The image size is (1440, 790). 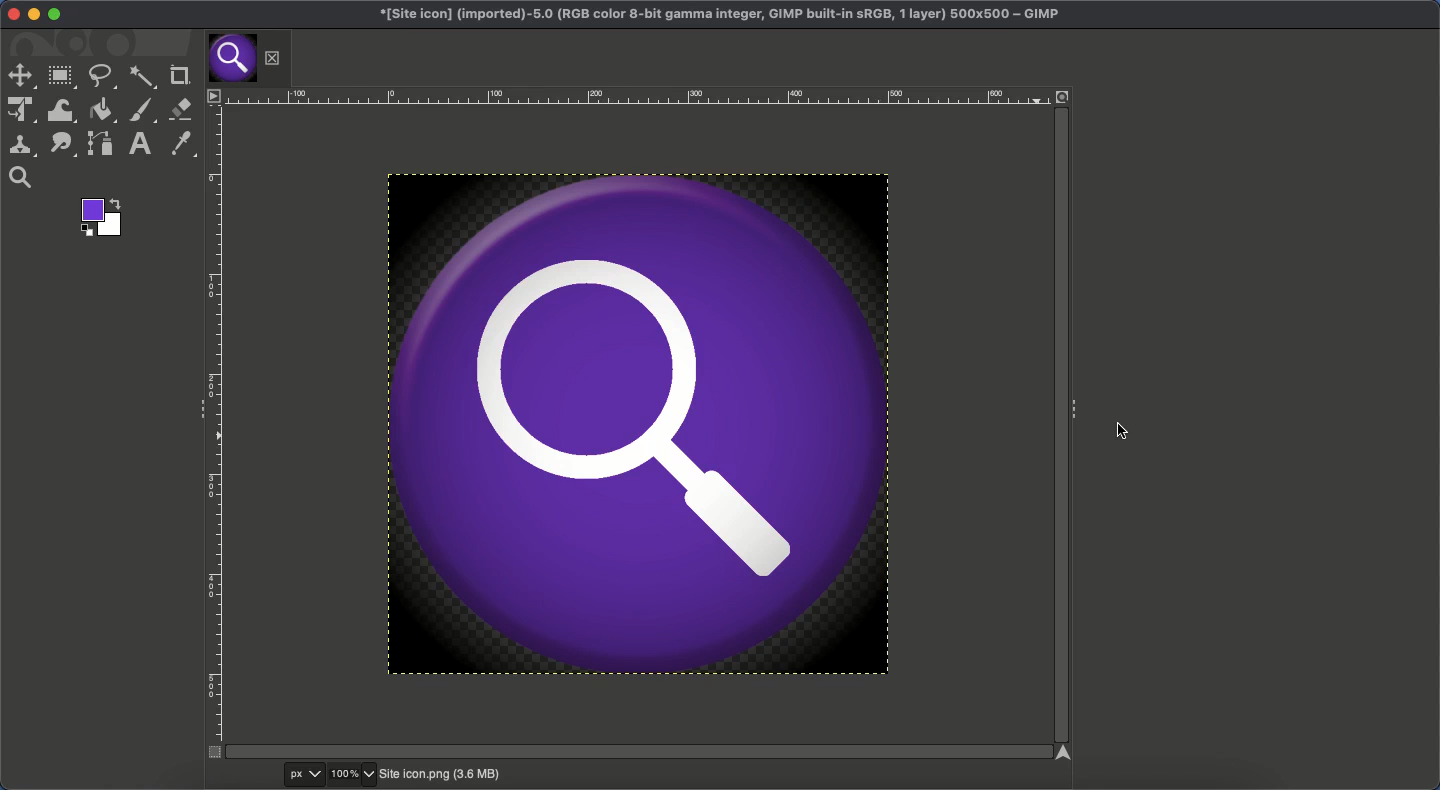 What do you see at coordinates (215, 432) in the screenshot?
I see `Ruler` at bounding box center [215, 432].